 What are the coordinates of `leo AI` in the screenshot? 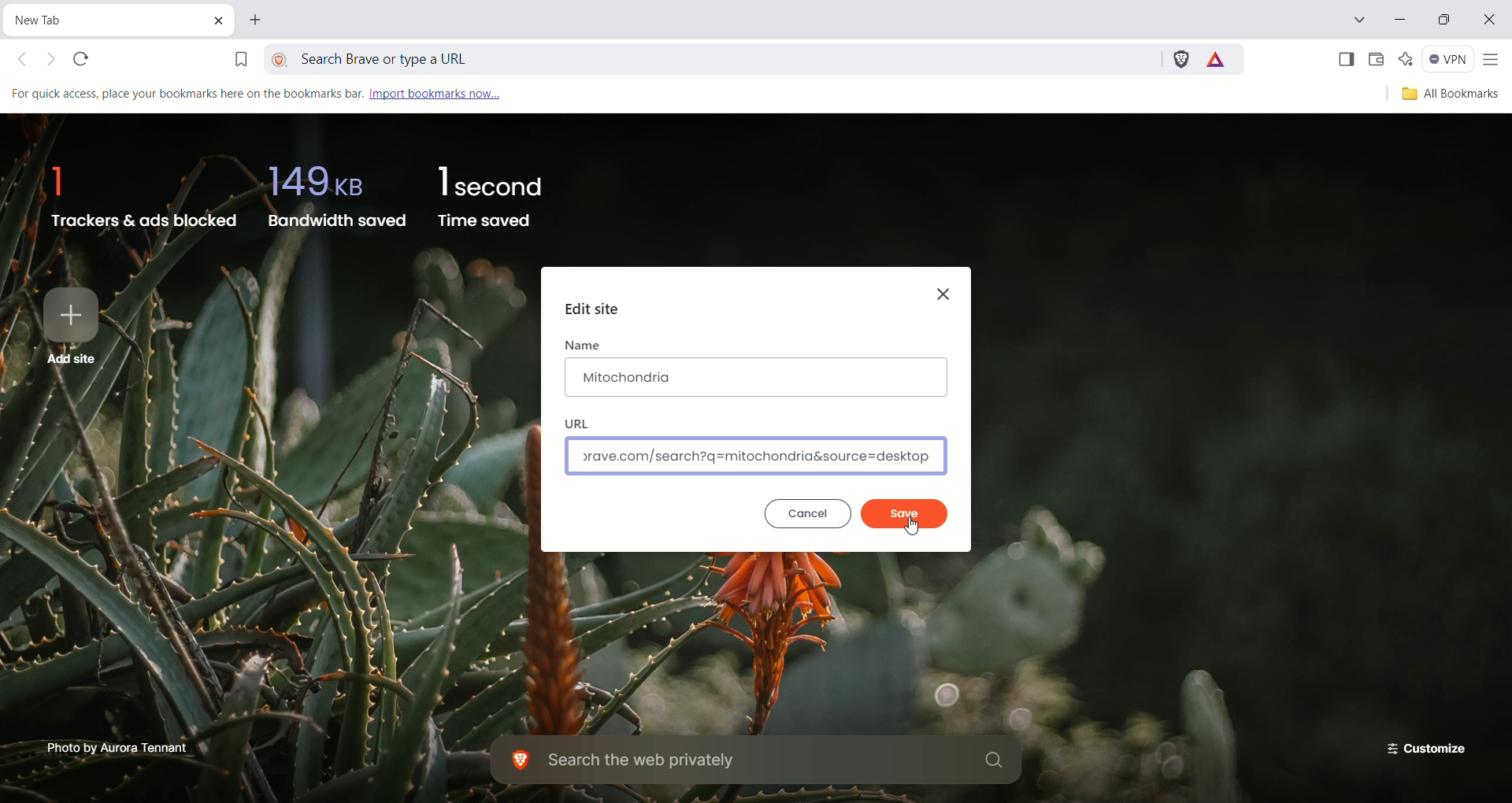 It's located at (1406, 59).